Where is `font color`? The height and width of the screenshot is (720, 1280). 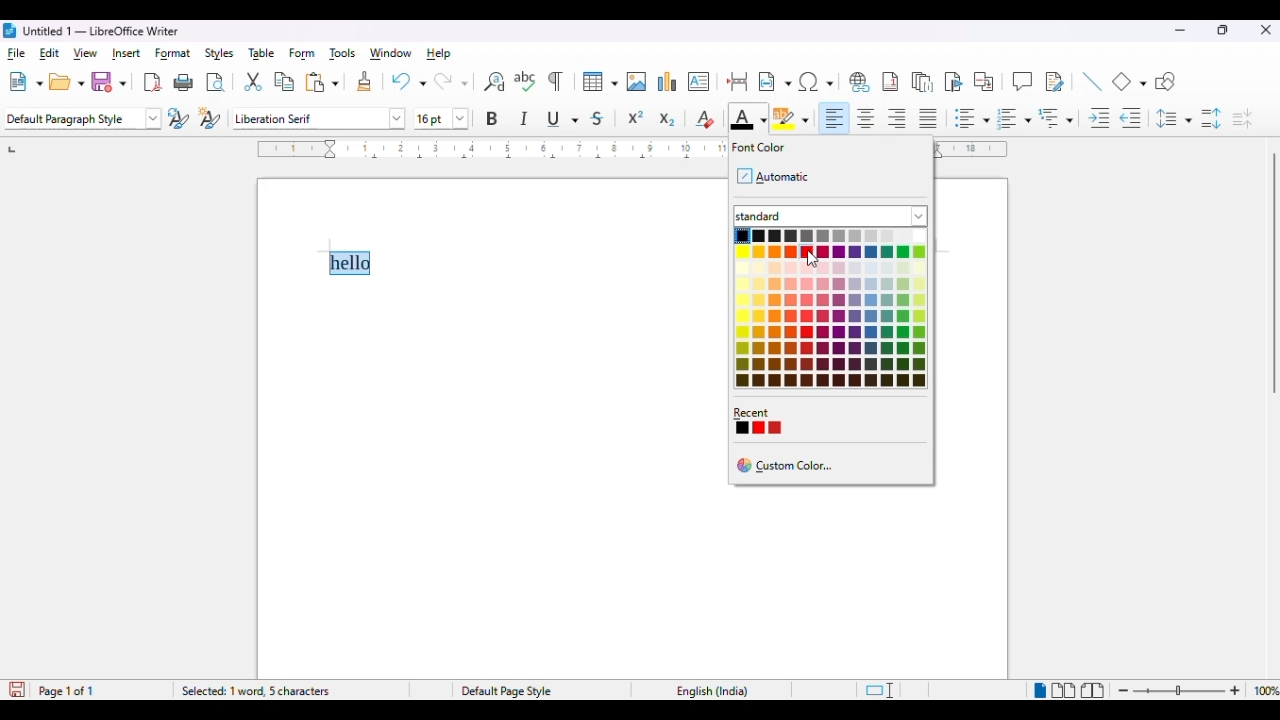 font color is located at coordinates (754, 148).